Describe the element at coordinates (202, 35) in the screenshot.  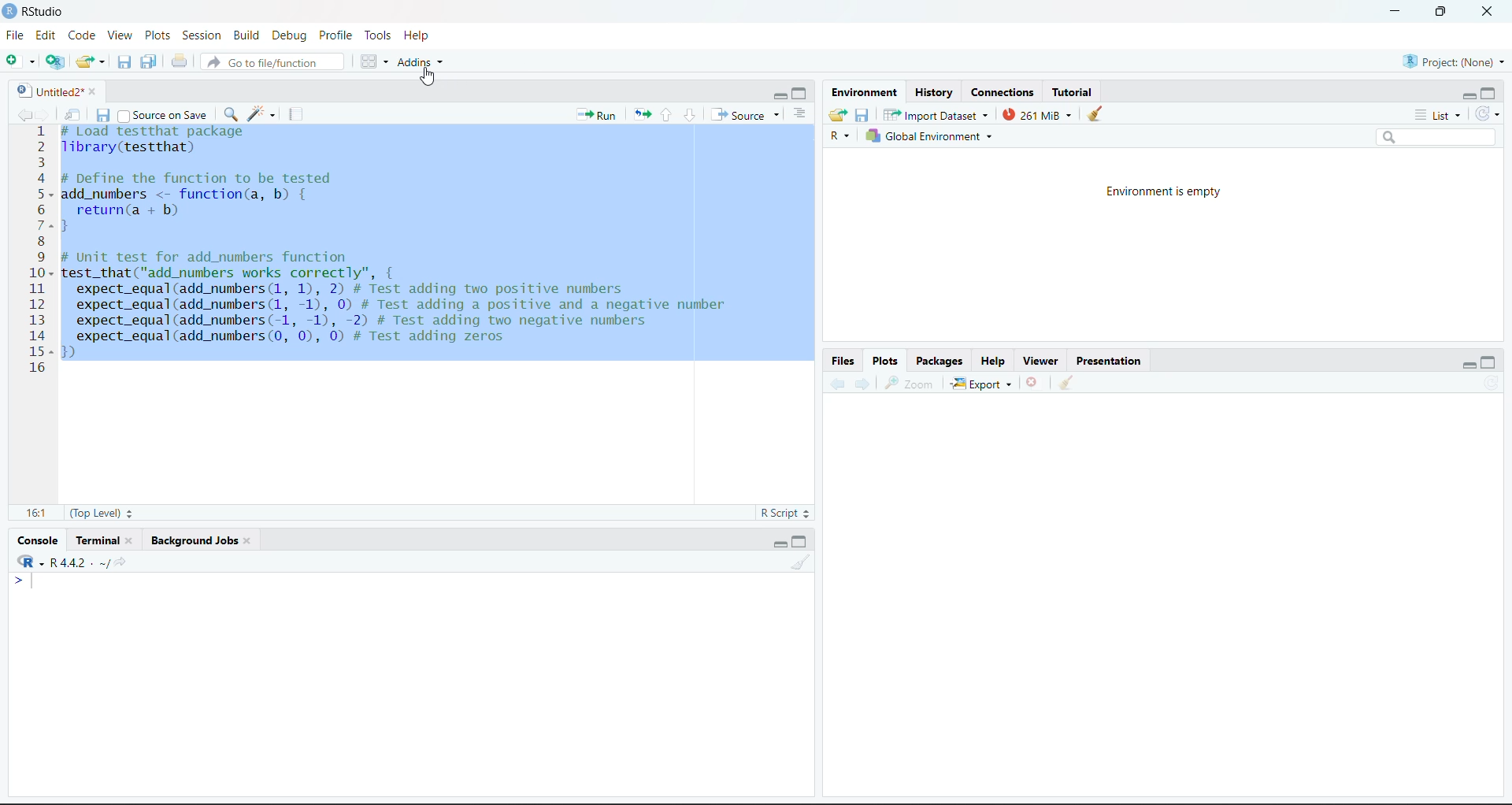
I see `Session` at that location.